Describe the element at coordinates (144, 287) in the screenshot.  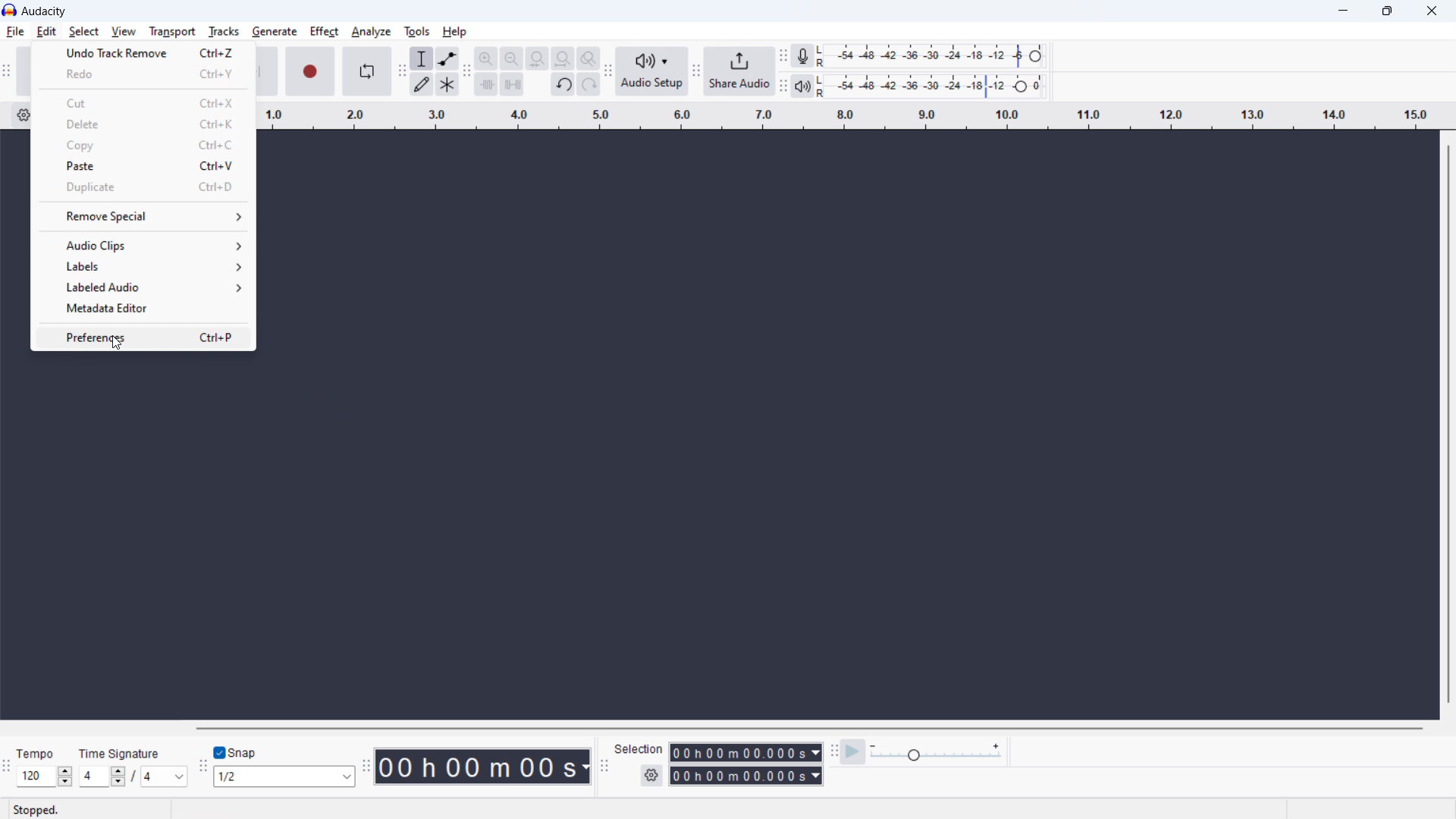
I see `labeled audio` at that location.